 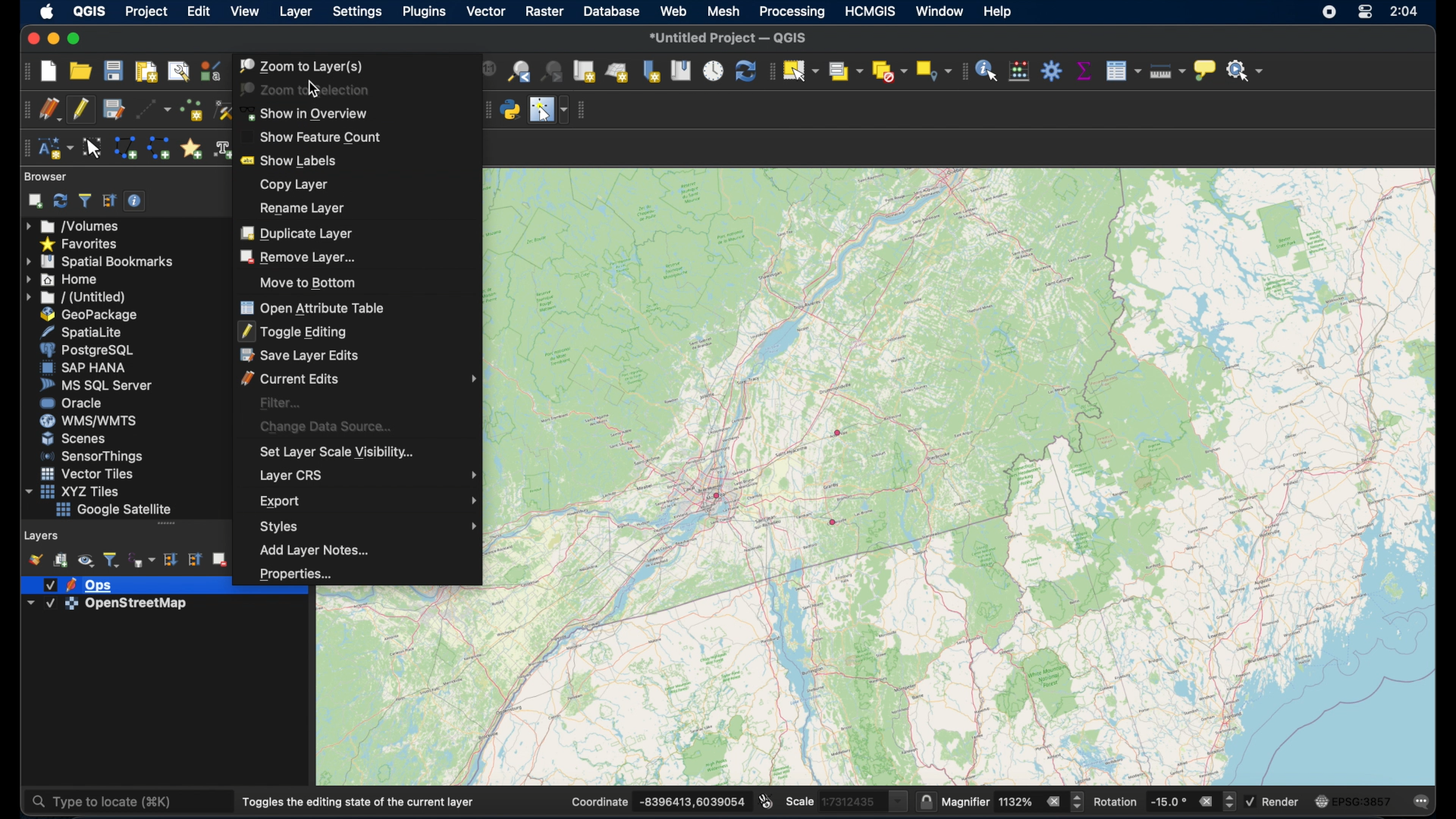 What do you see at coordinates (93, 384) in the screenshot?
I see `ms sql server` at bounding box center [93, 384].